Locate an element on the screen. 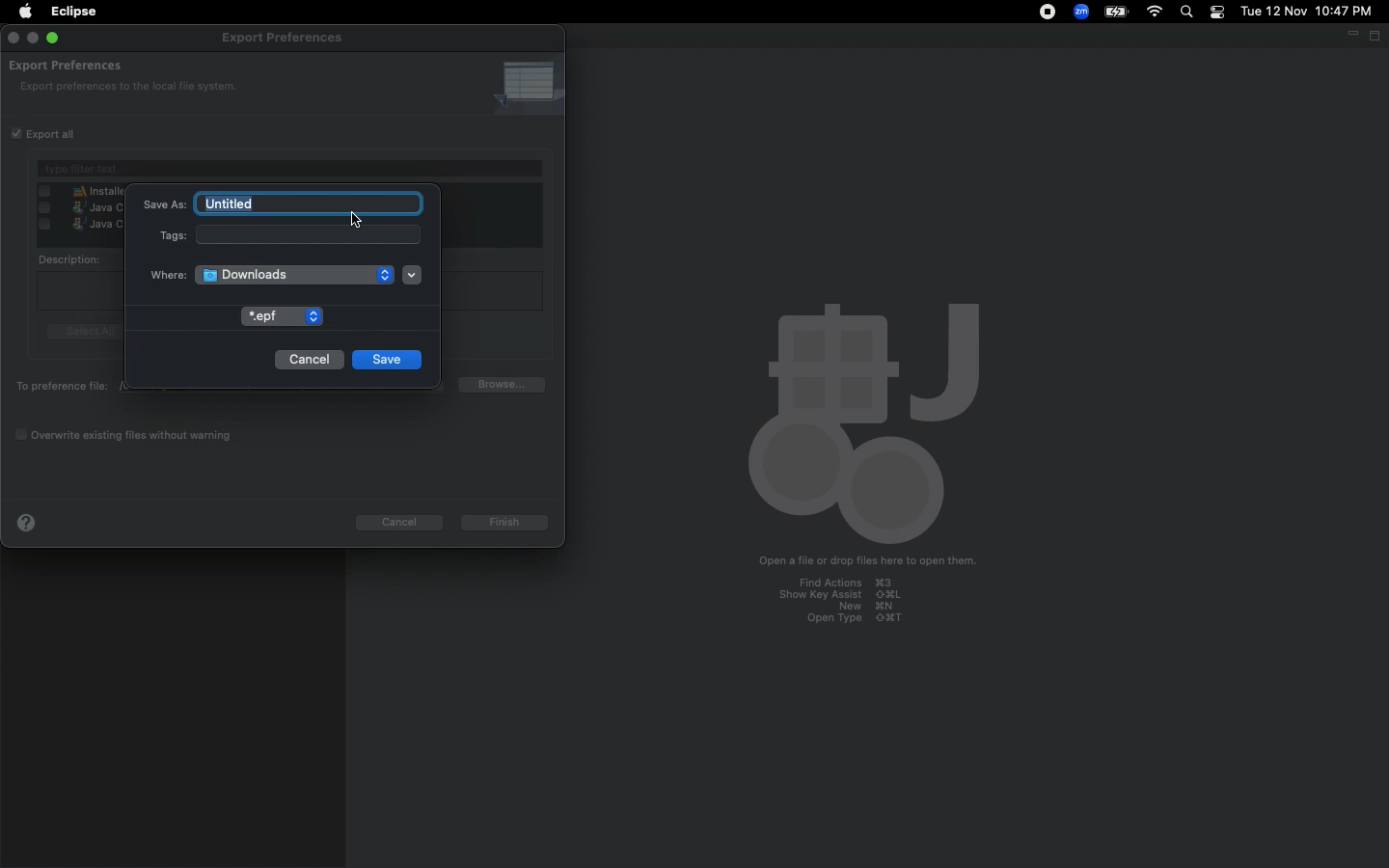 The image size is (1389, 868). show key assist  is located at coordinates (843, 595).